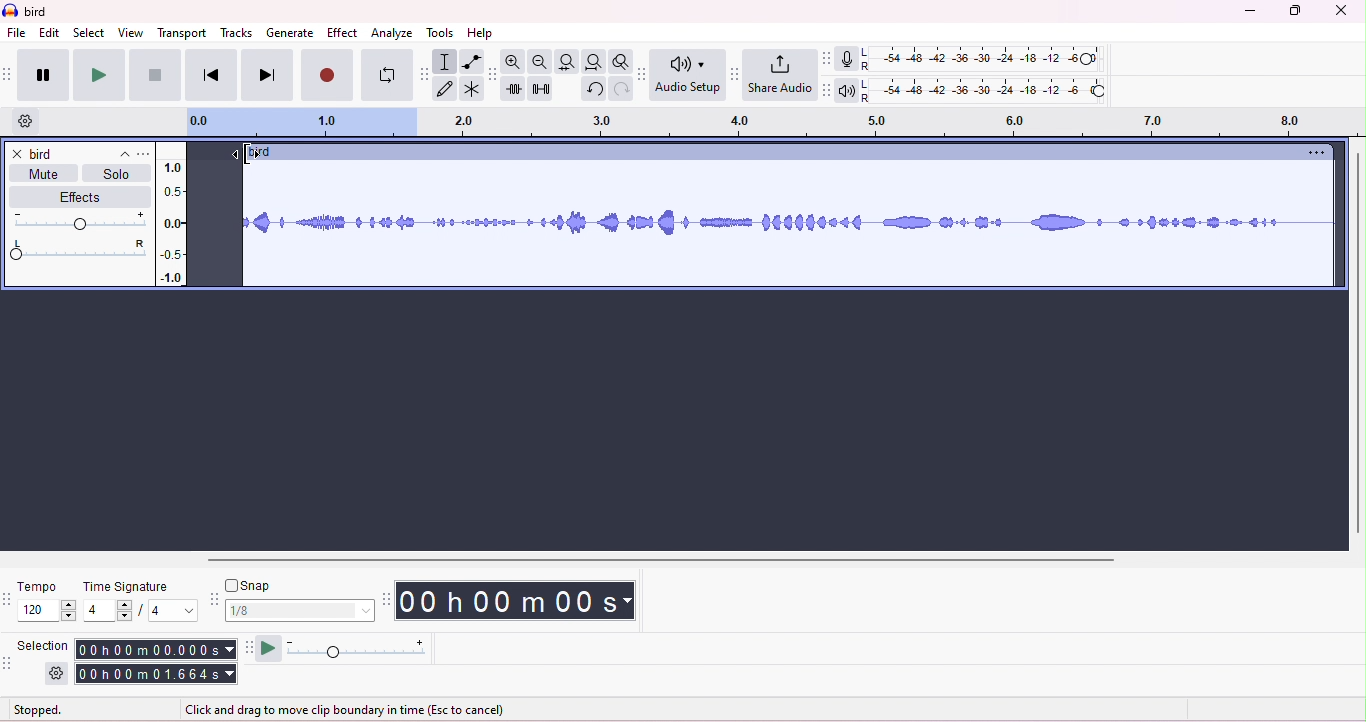 The height and width of the screenshot is (722, 1366). What do you see at coordinates (90, 32) in the screenshot?
I see `select` at bounding box center [90, 32].